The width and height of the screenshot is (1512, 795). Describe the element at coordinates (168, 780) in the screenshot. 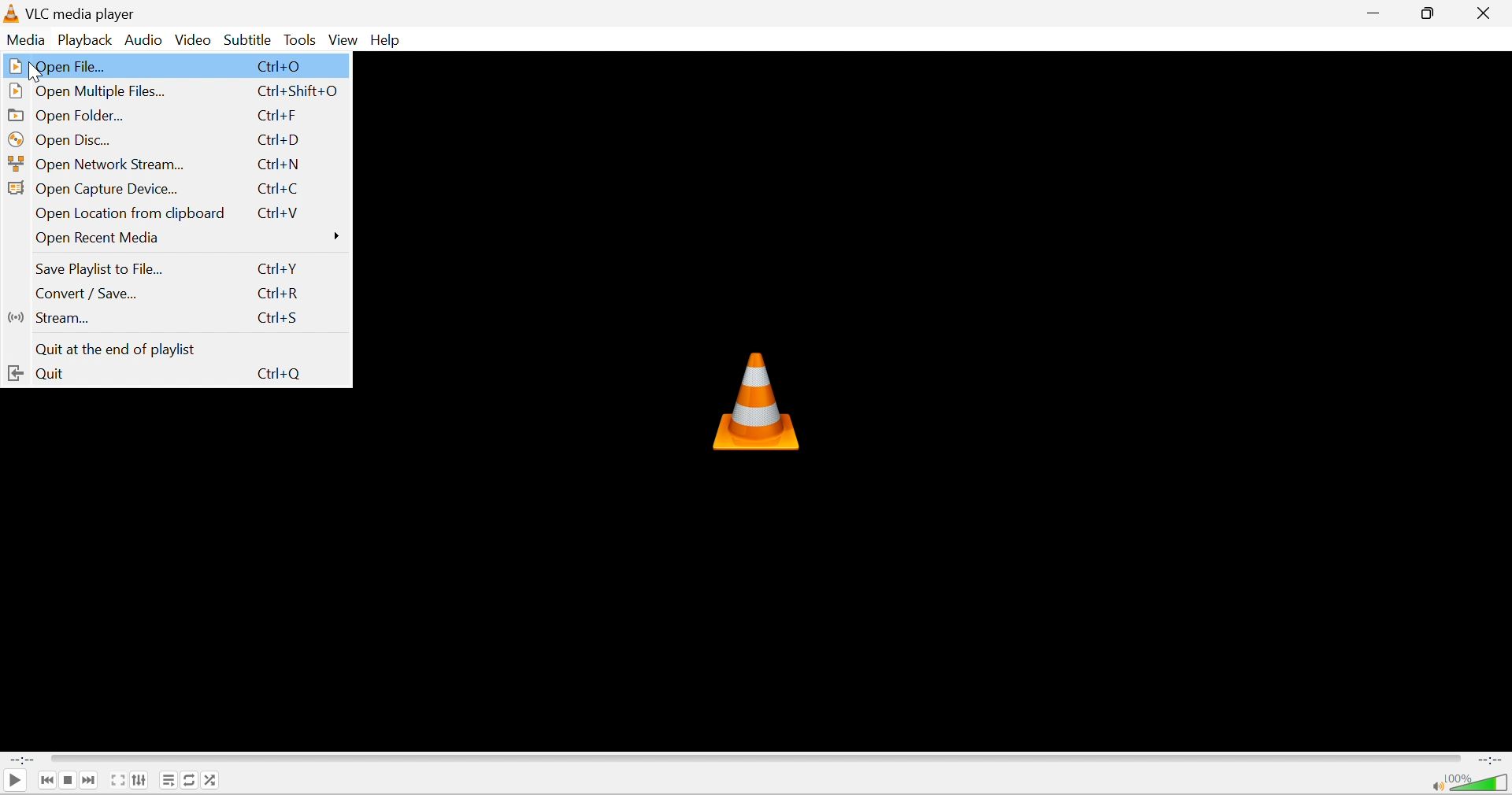

I see `Toggle playlist` at that location.